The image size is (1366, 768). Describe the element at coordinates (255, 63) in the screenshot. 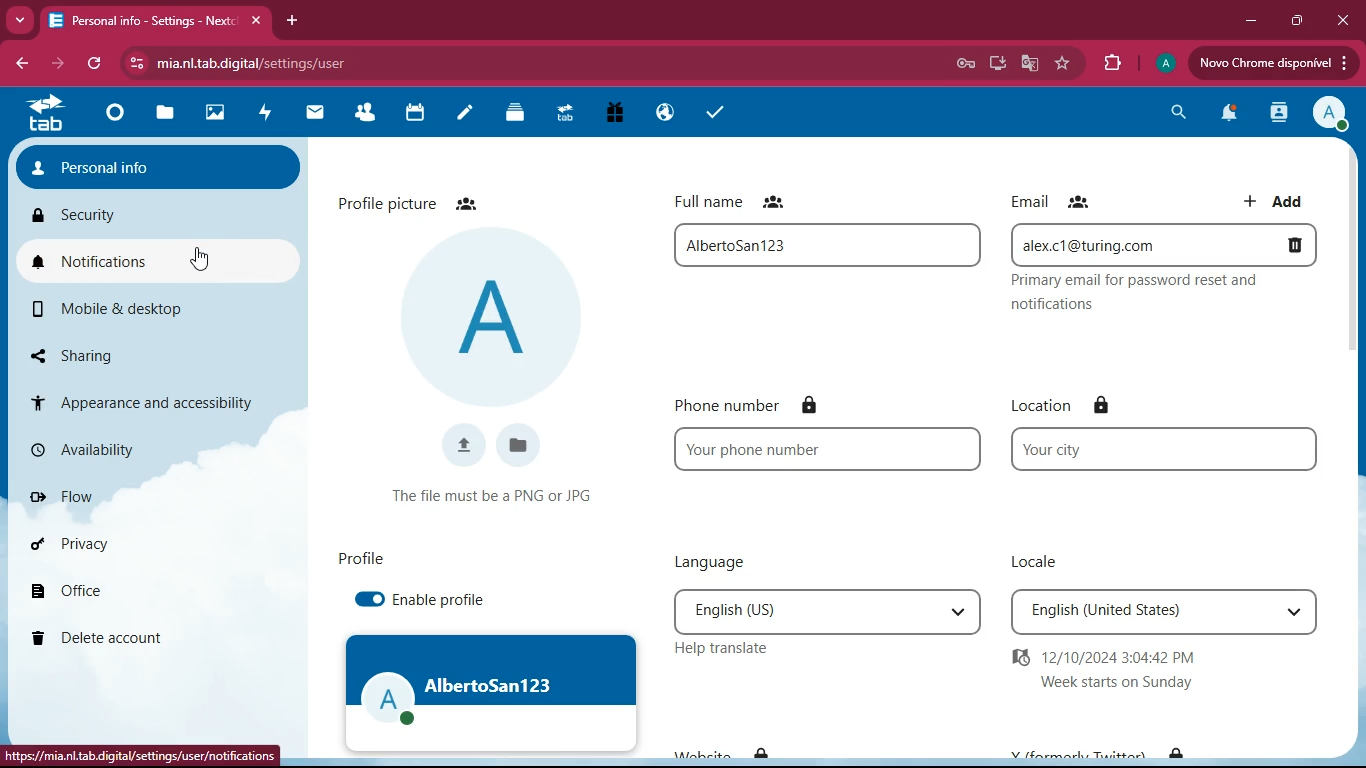

I see `url` at that location.